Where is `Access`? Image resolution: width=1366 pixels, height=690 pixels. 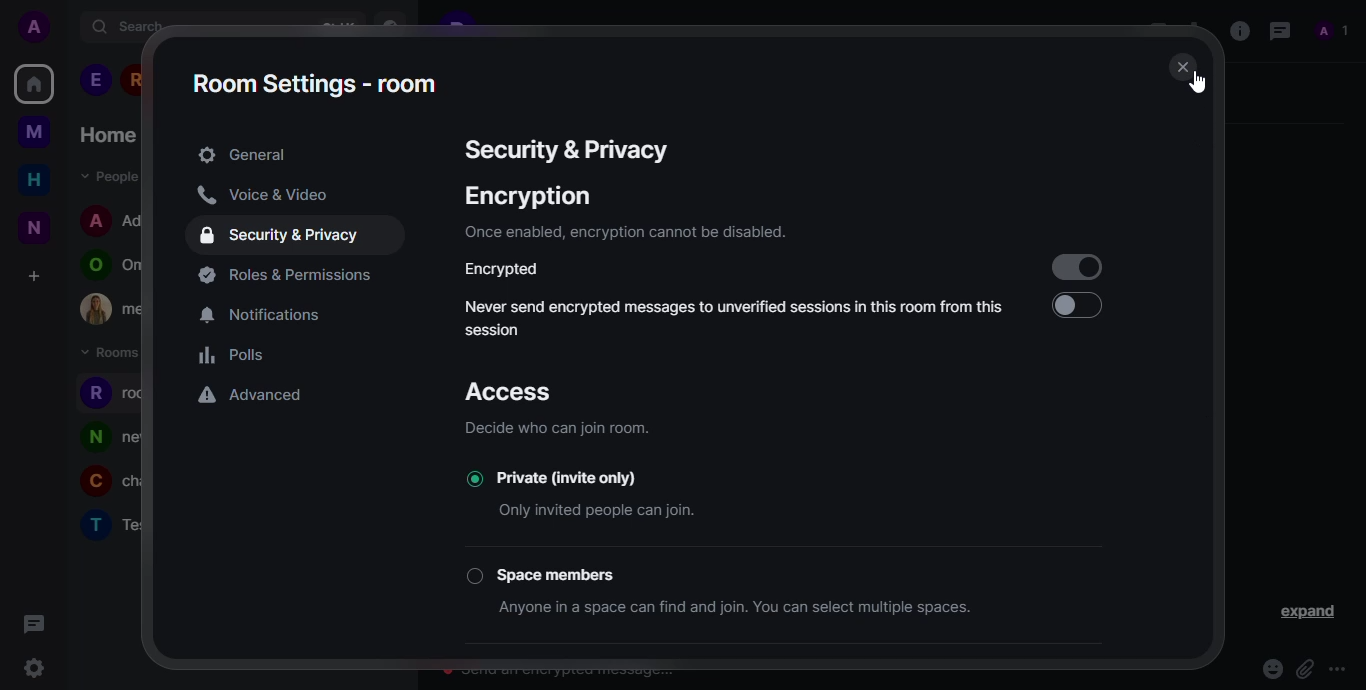
Access is located at coordinates (513, 391).